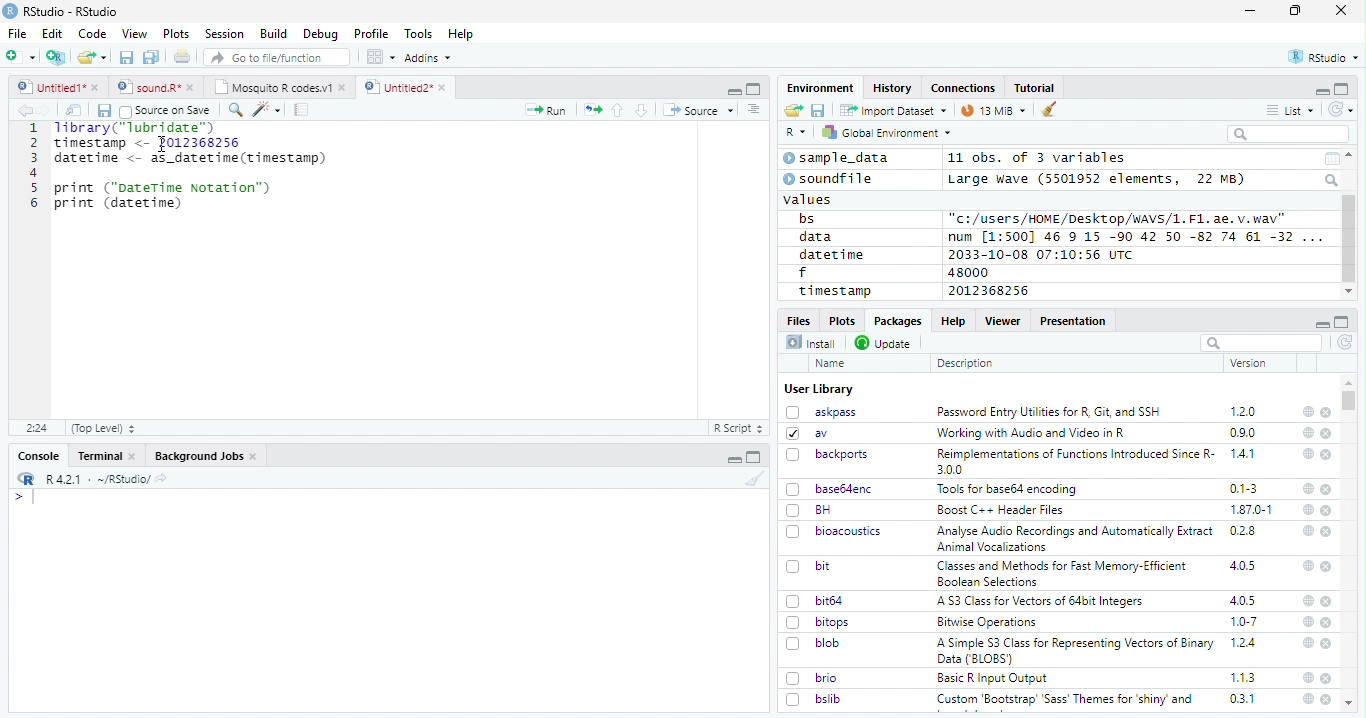  What do you see at coordinates (135, 34) in the screenshot?
I see `View` at bounding box center [135, 34].